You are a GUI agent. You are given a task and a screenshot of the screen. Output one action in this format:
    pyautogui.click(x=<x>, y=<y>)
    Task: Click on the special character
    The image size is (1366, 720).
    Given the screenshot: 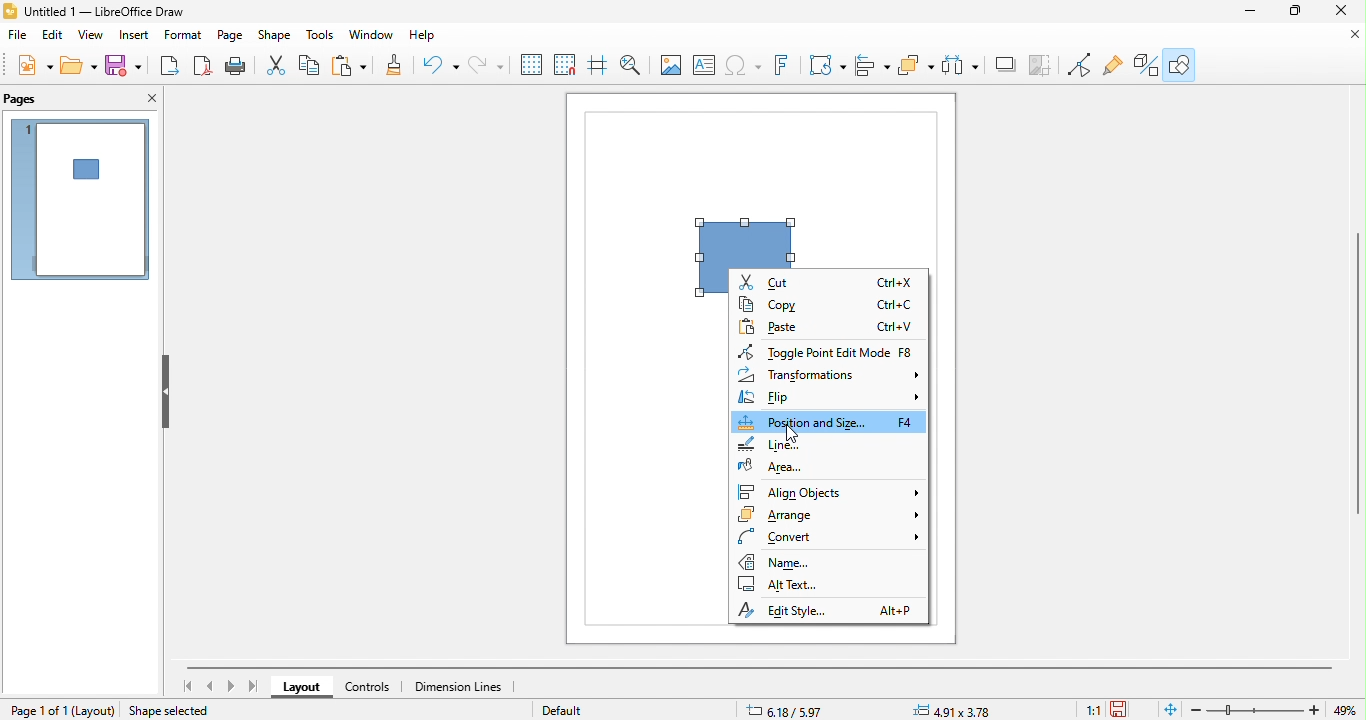 What is the action you would take?
    pyautogui.click(x=745, y=66)
    